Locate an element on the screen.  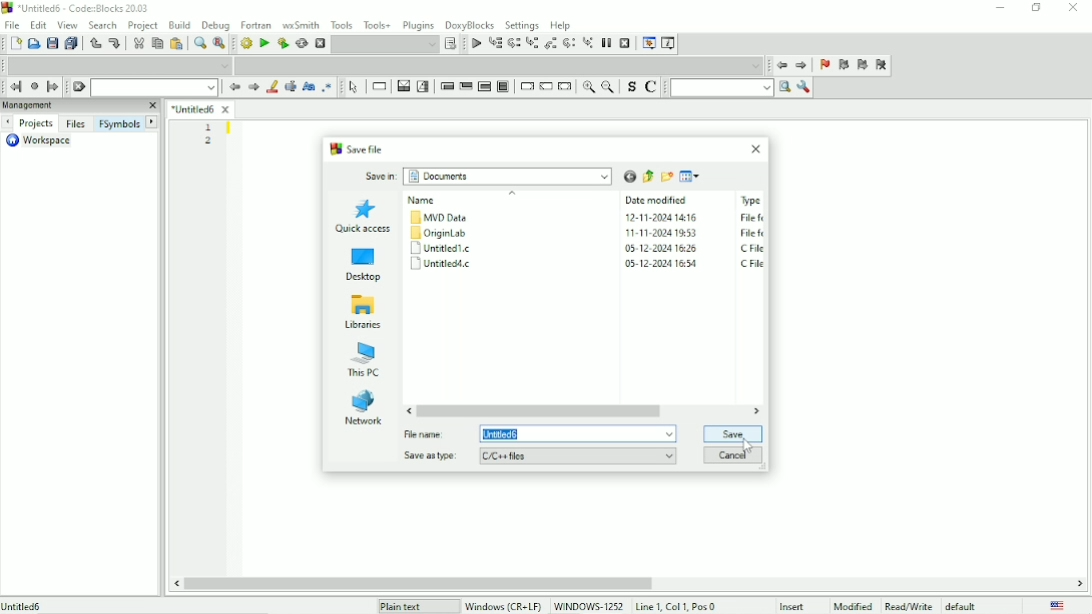
Next is located at coordinates (254, 87).